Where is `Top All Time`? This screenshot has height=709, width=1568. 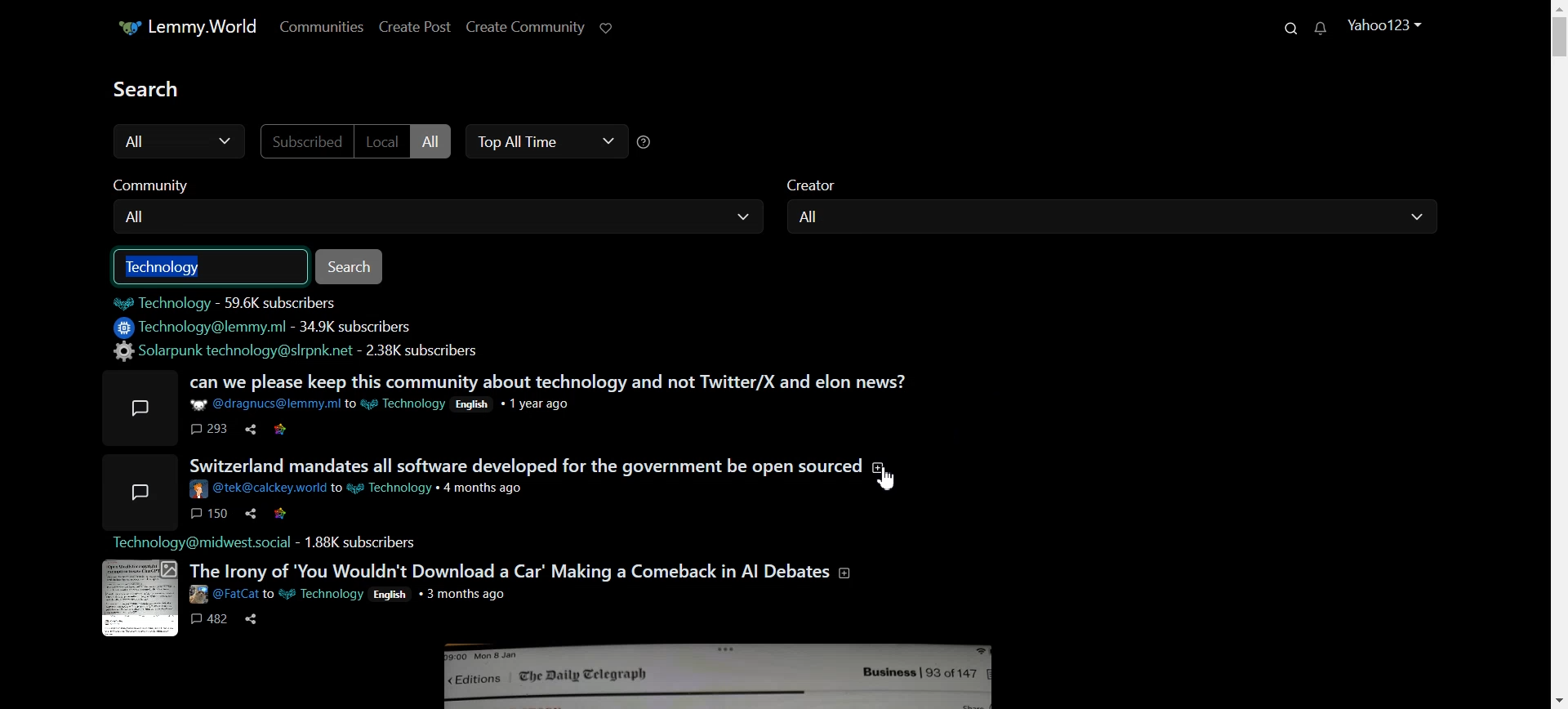
Top All Time is located at coordinates (543, 141).